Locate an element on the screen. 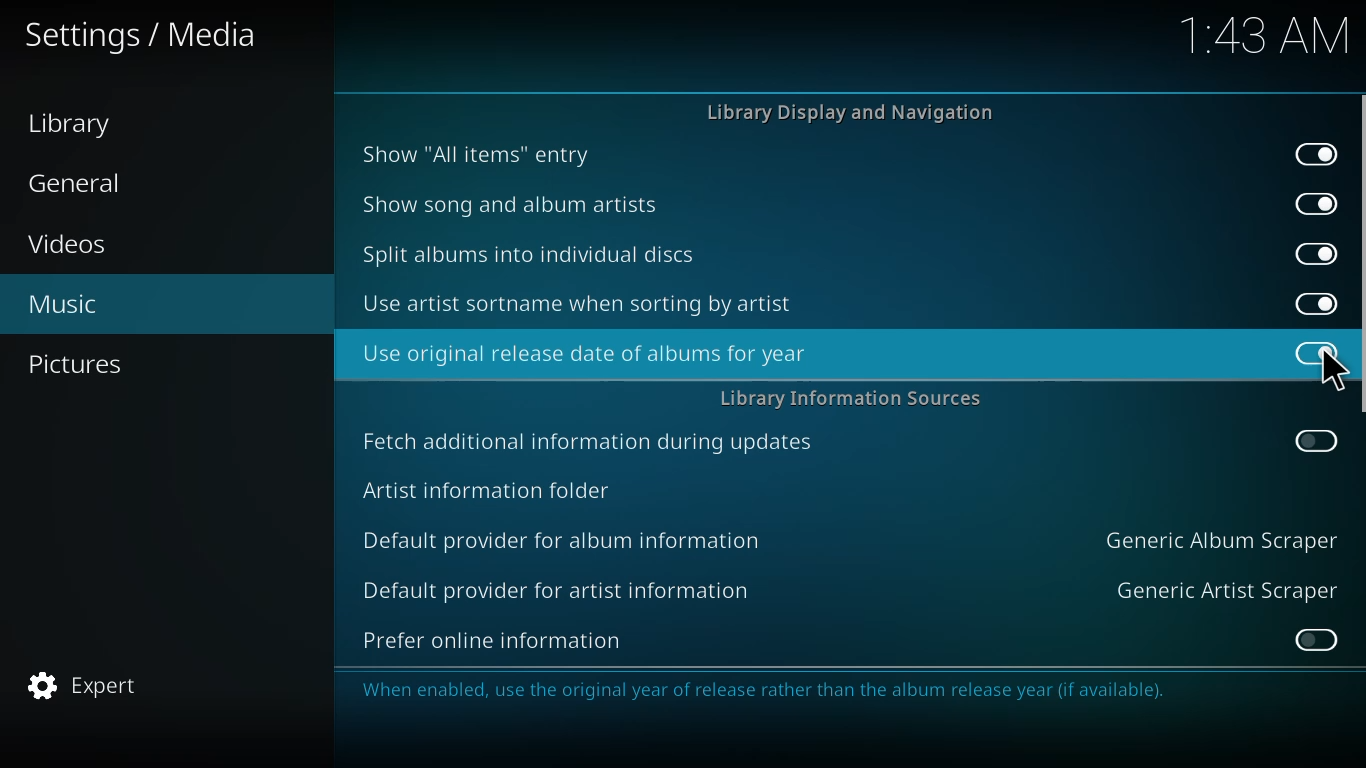 The image size is (1366, 768). expert is located at coordinates (82, 685).